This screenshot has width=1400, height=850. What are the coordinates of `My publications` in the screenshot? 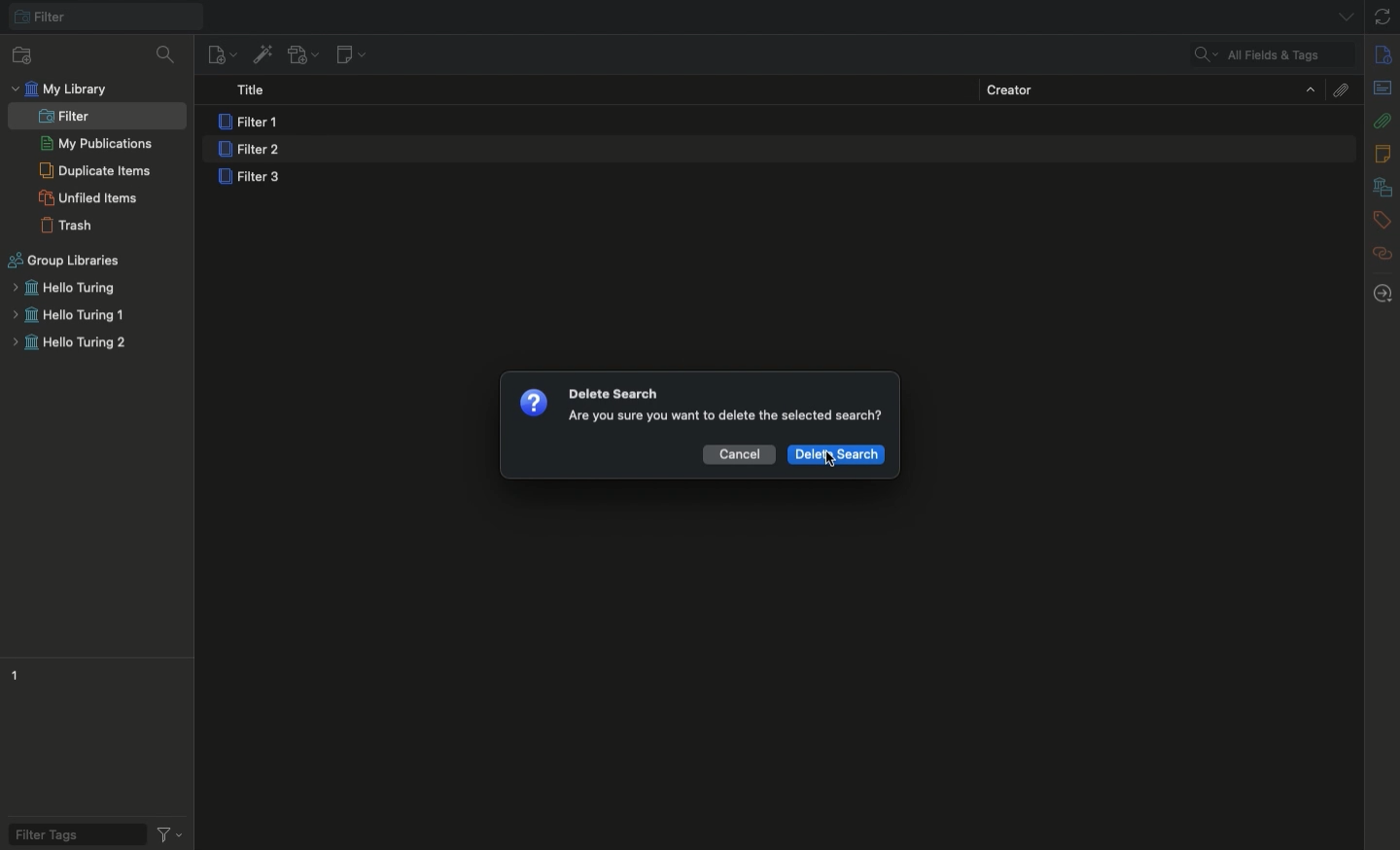 It's located at (96, 145).